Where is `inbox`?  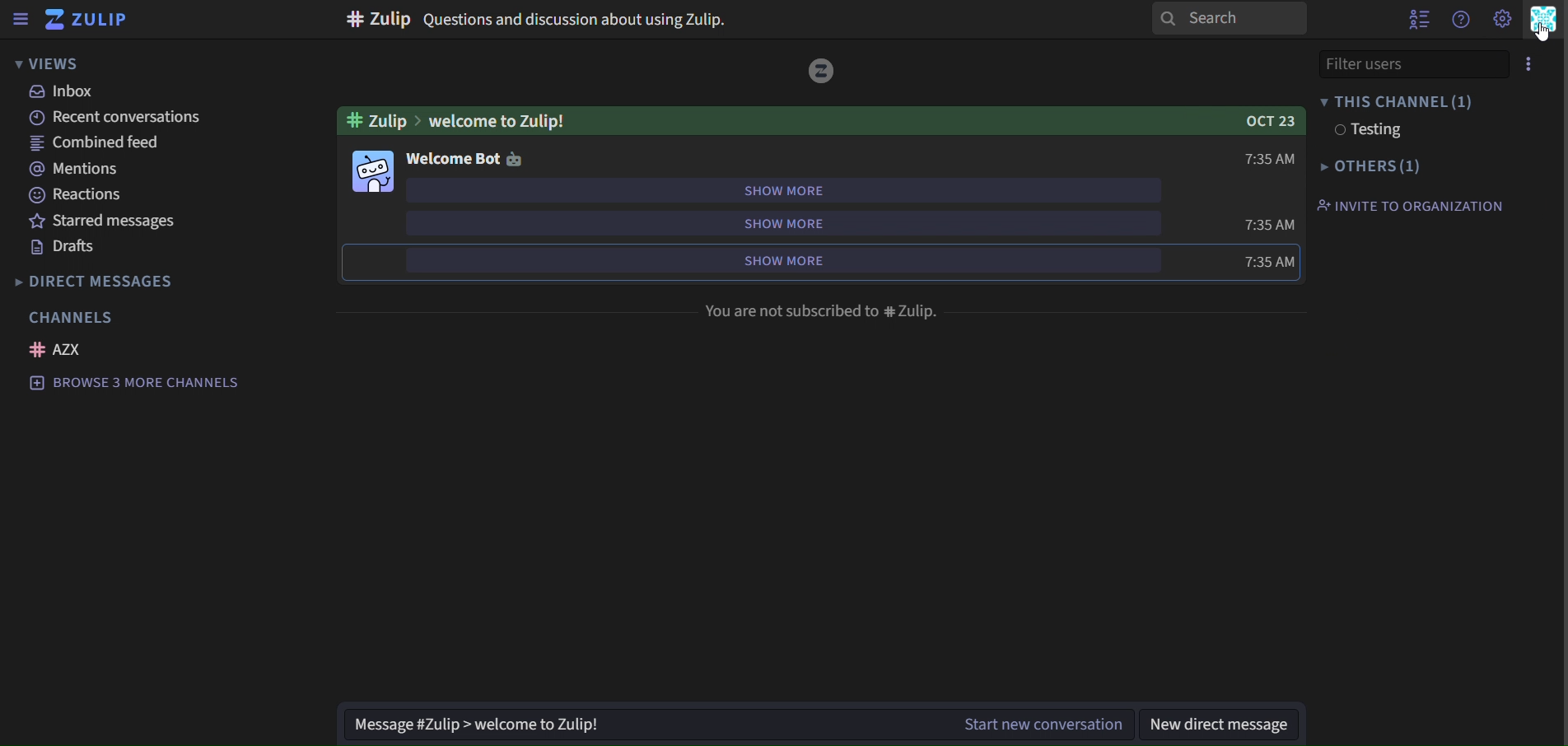 inbox is located at coordinates (65, 93).